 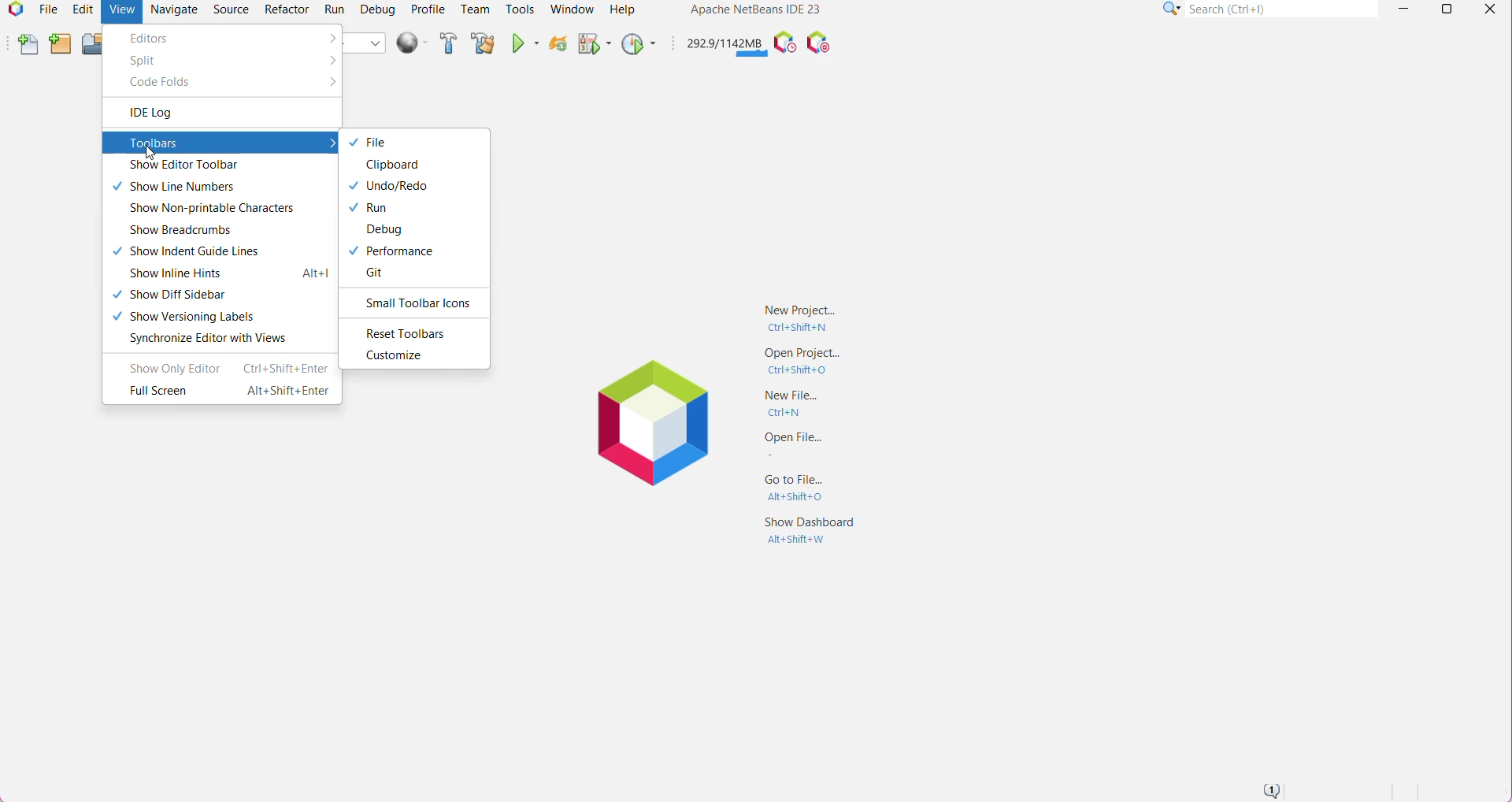 What do you see at coordinates (803, 362) in the screenshot?
I see `Open Project` at bounding box center [803, 362].